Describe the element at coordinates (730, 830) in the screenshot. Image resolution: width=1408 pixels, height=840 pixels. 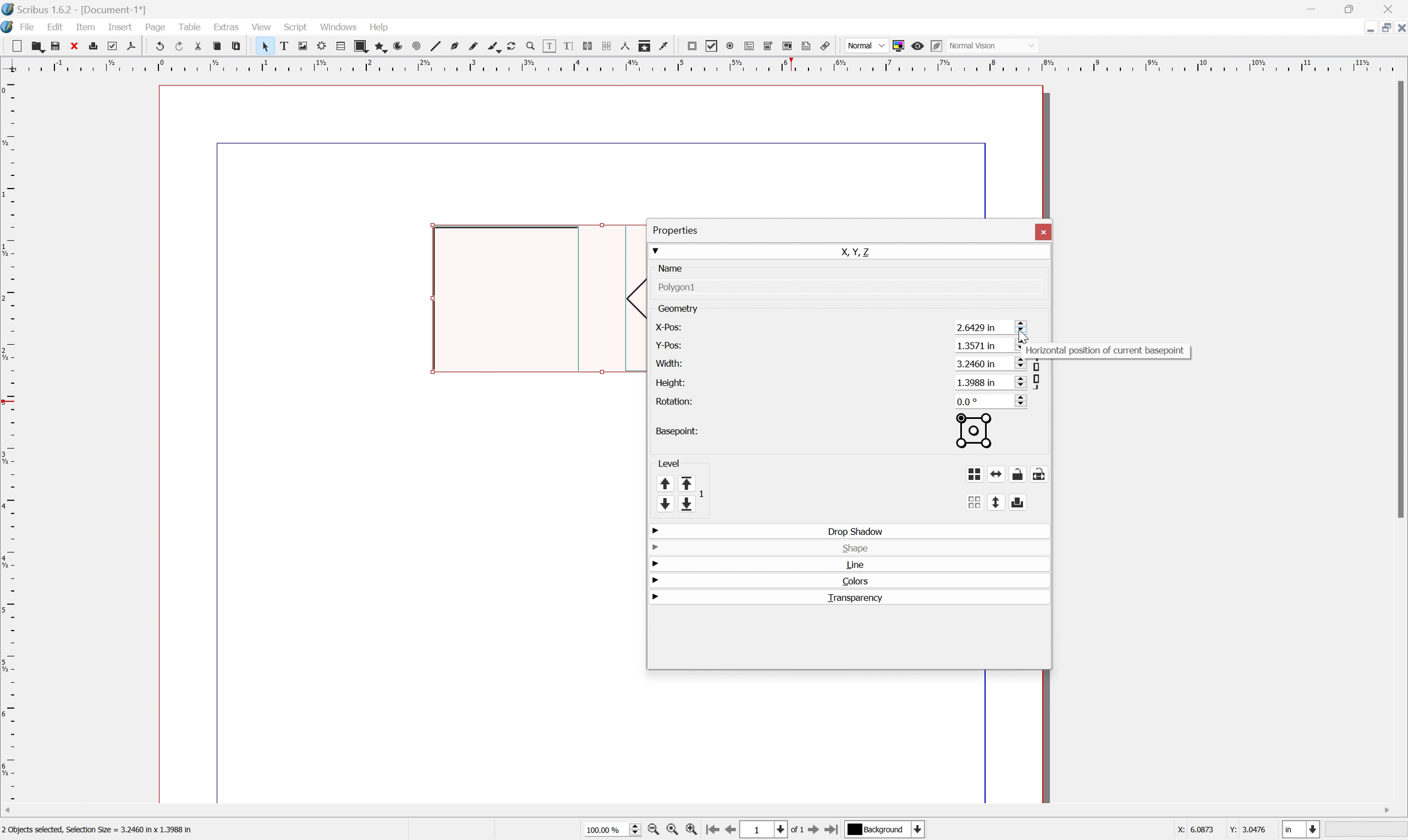
I see `Go to previous page` at that location.